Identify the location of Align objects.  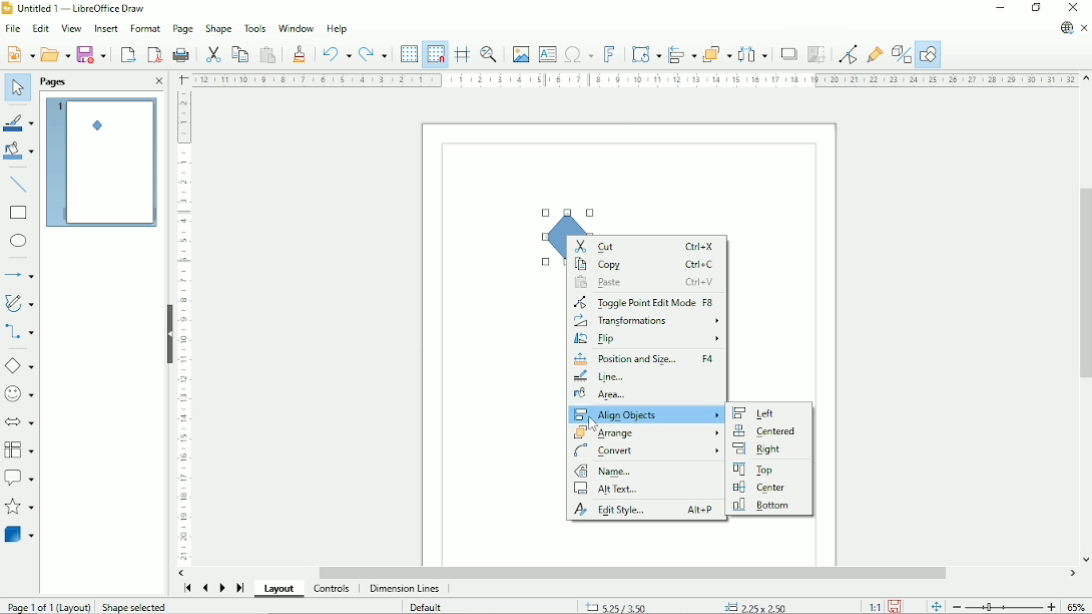
(646, 415).